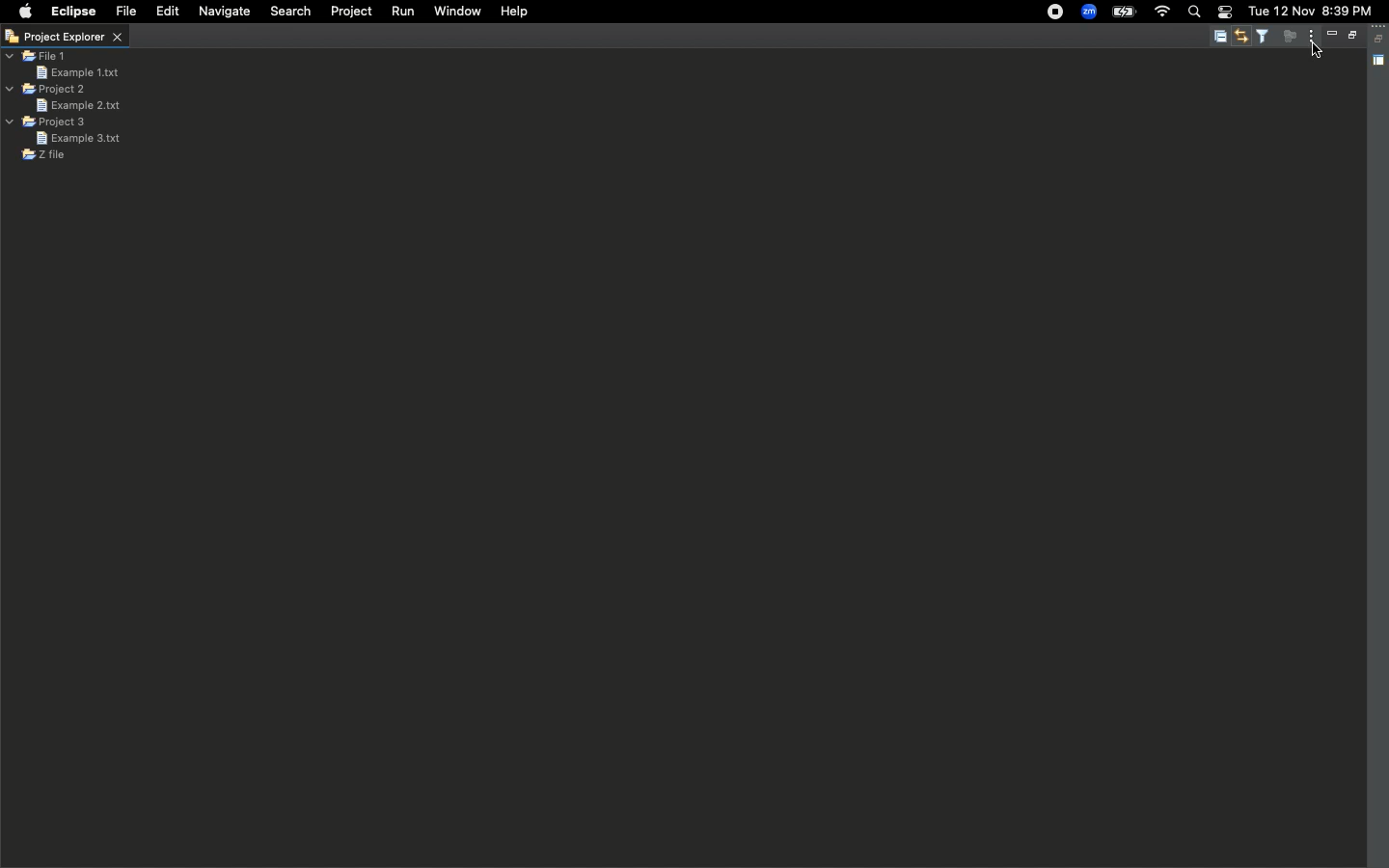 This screenshot has height=868, width=1389. I want to click on Collapse all, so click(1380, 39).